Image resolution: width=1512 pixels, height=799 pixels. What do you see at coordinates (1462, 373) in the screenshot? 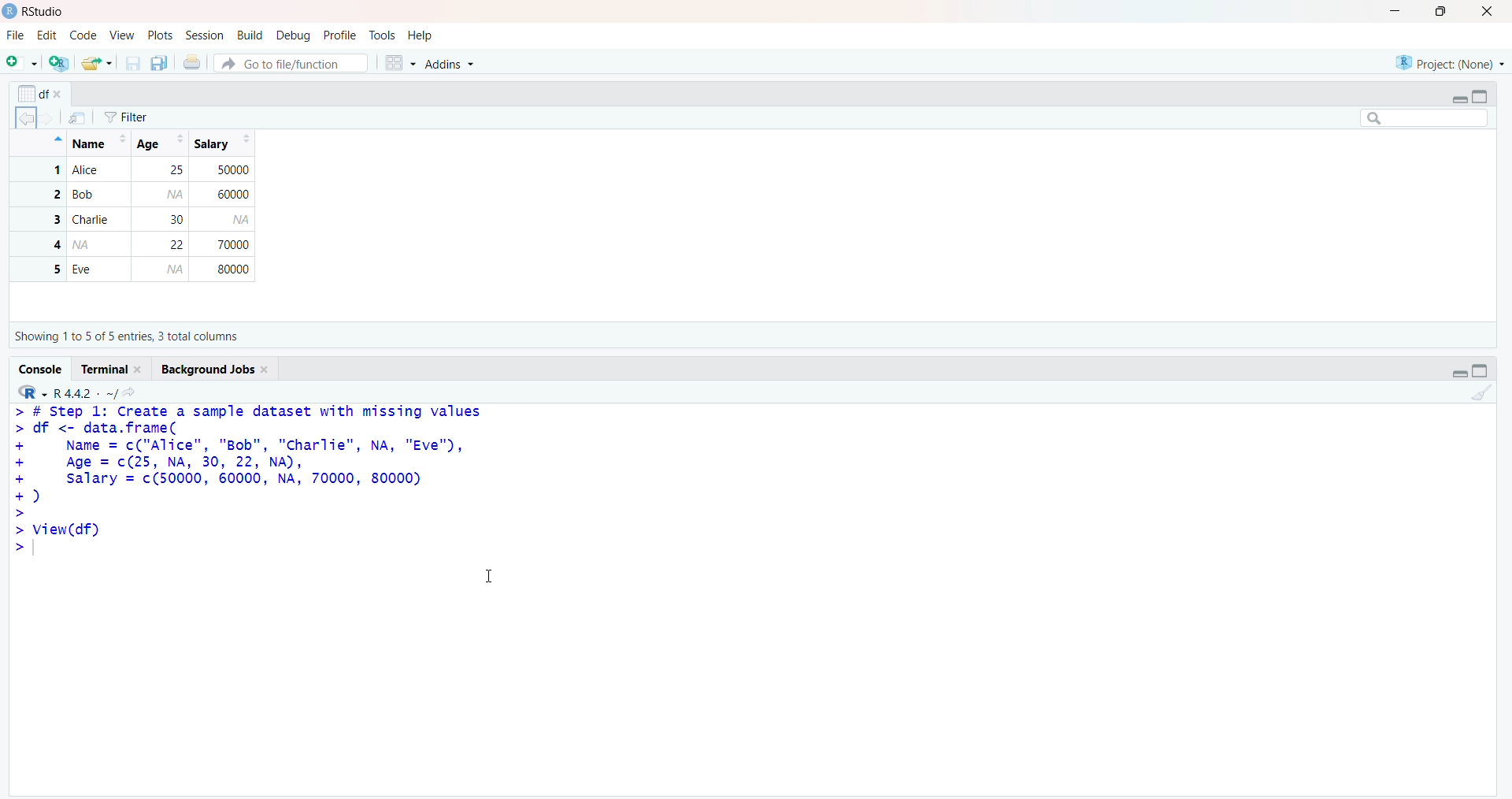
I see `Minimize` at bounding box center [1462, 373].